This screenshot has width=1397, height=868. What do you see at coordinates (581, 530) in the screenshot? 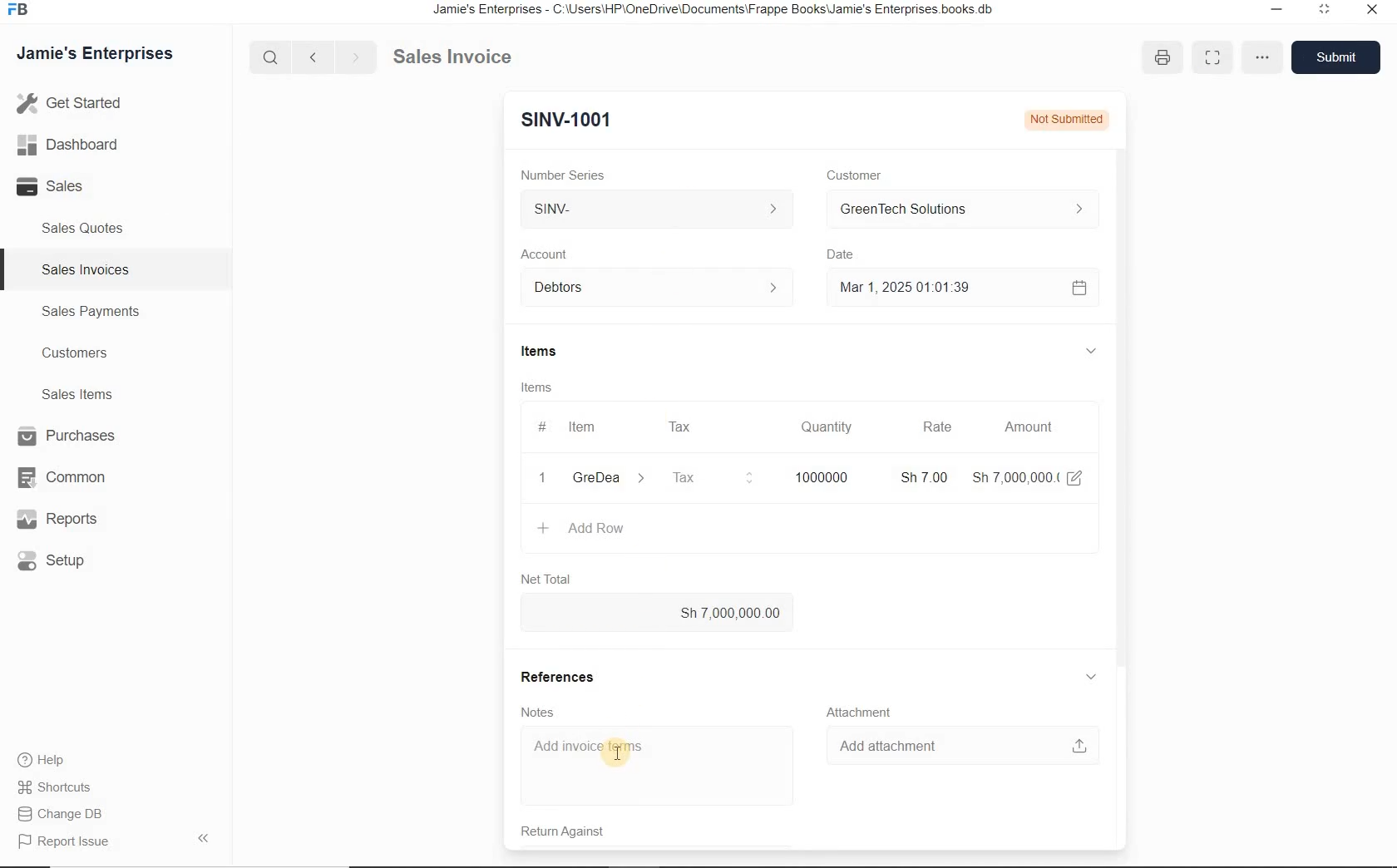
I see `+ Add Row` at bounding box center [581, 530].